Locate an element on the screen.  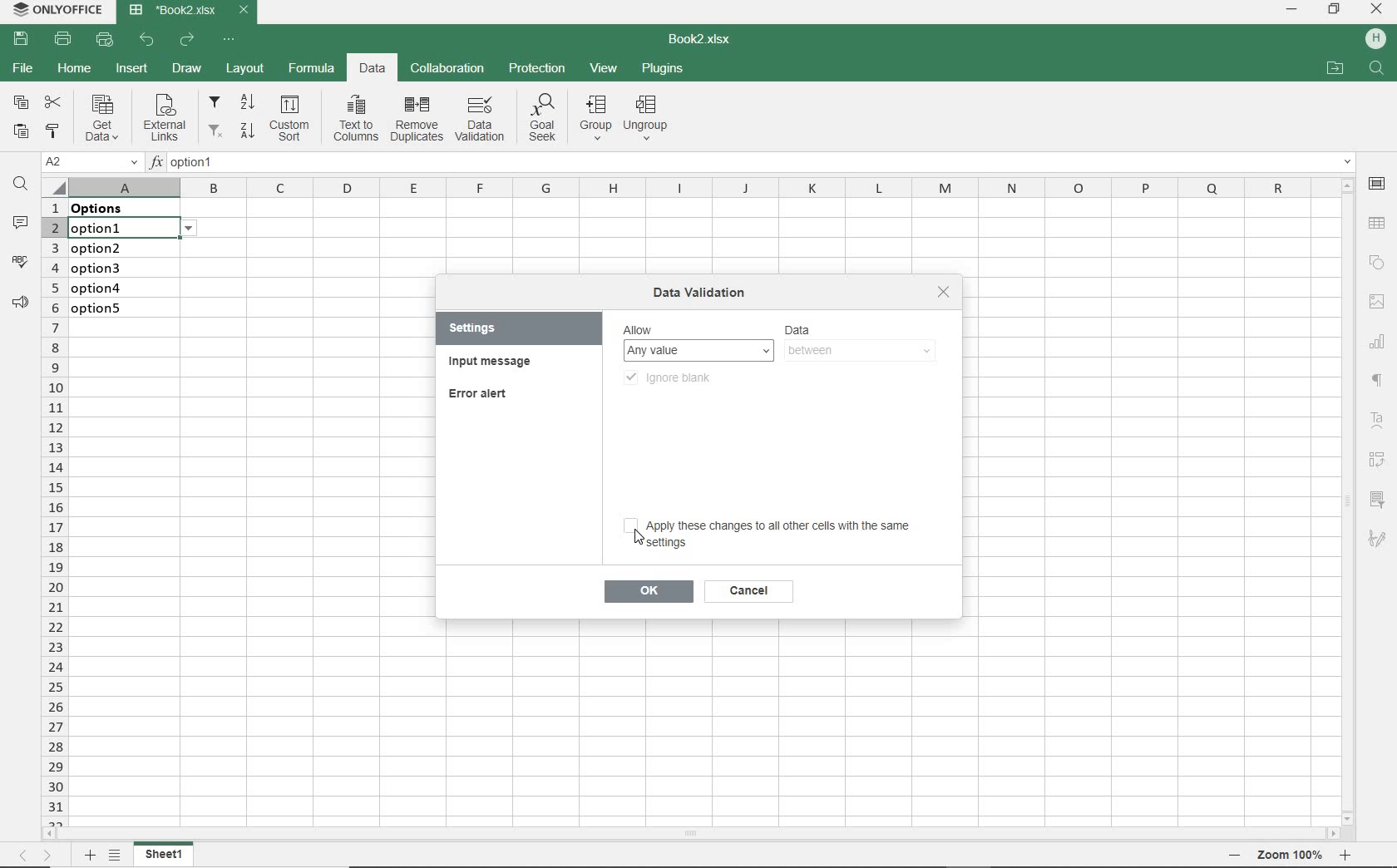
Zoom out is located at coordinates (1230, 856).